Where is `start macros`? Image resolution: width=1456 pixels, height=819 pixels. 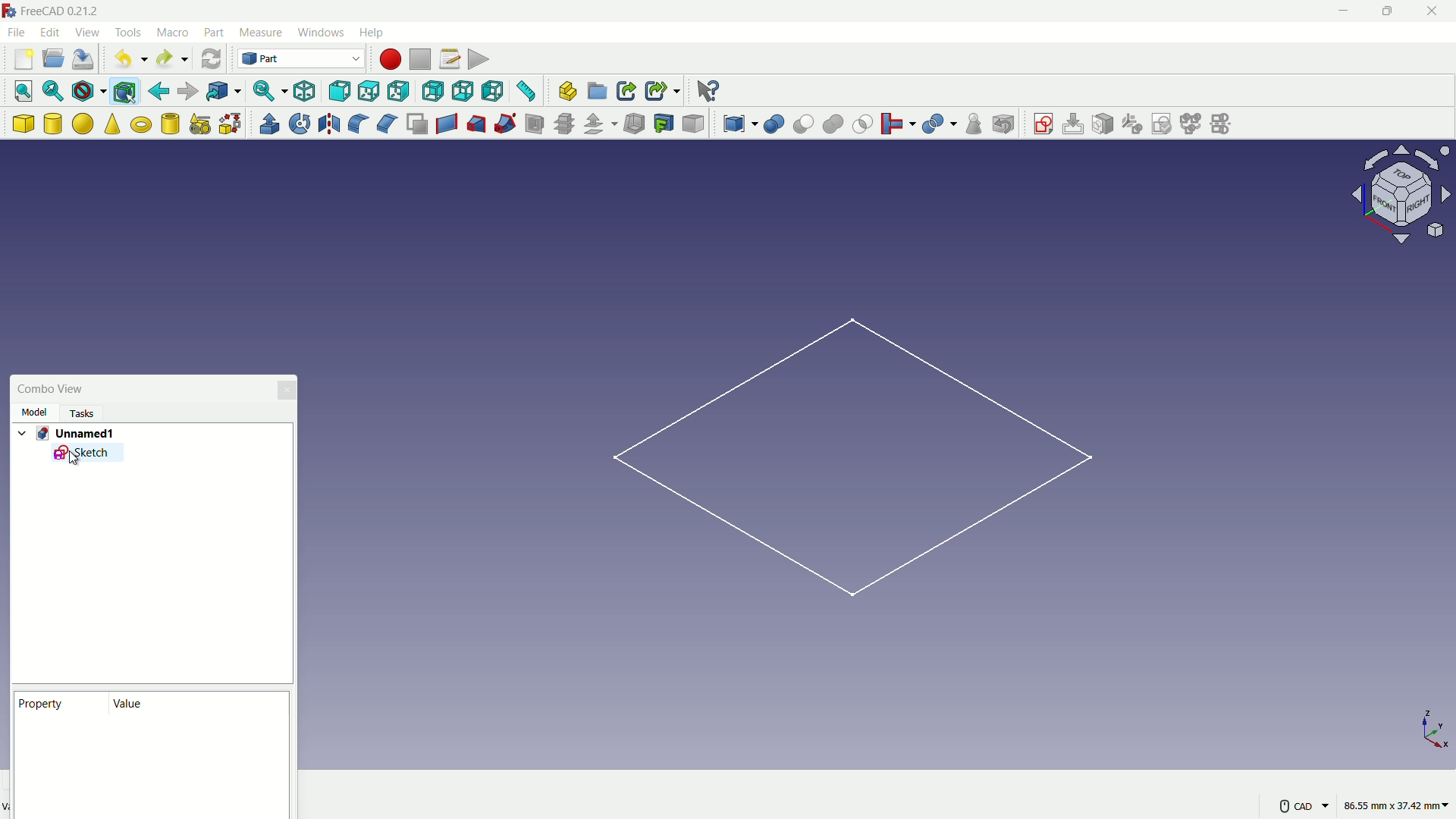 start macros is located at coordinates (391, 59).